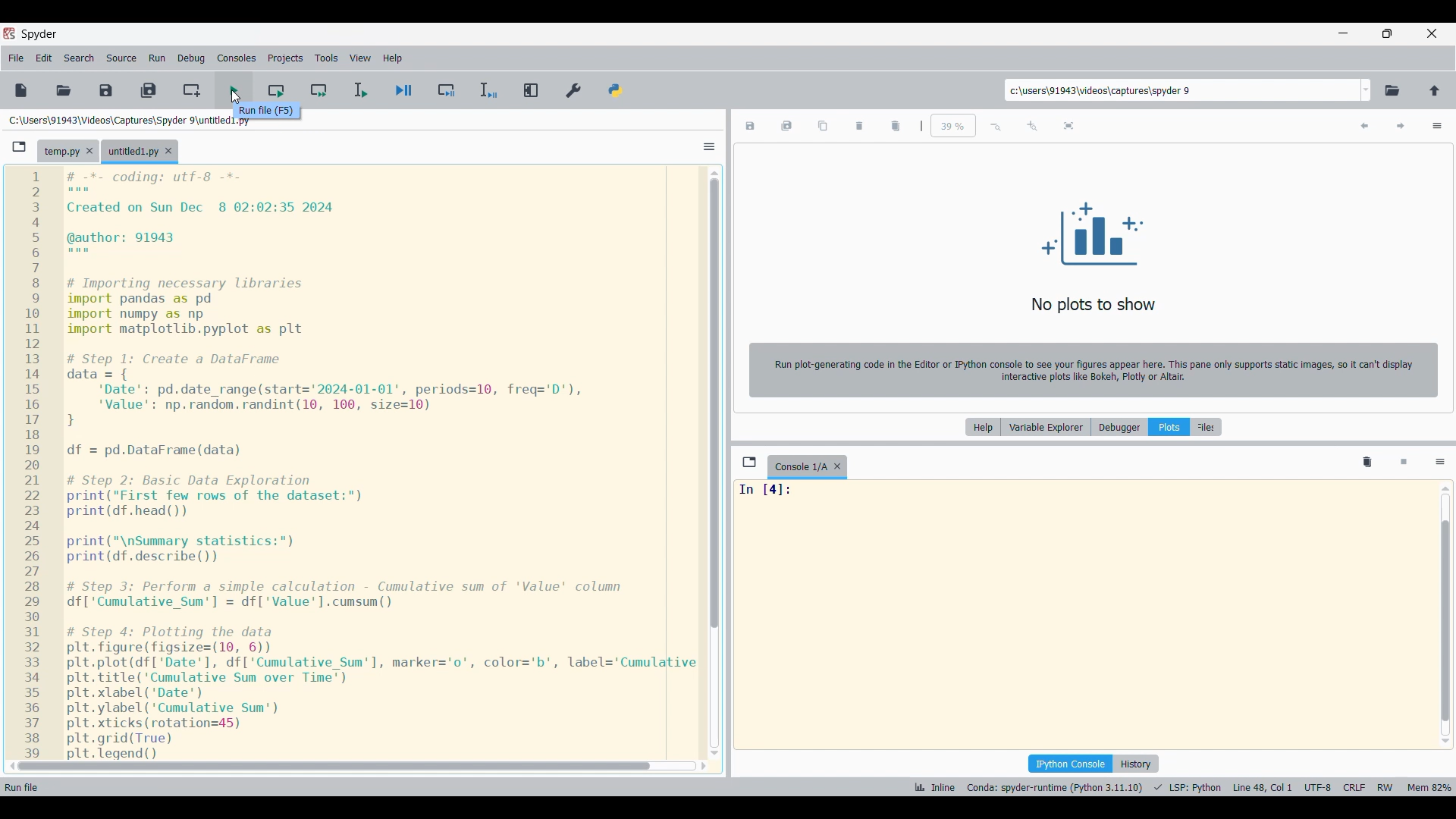  I want to click on Options, so click(709, 147).